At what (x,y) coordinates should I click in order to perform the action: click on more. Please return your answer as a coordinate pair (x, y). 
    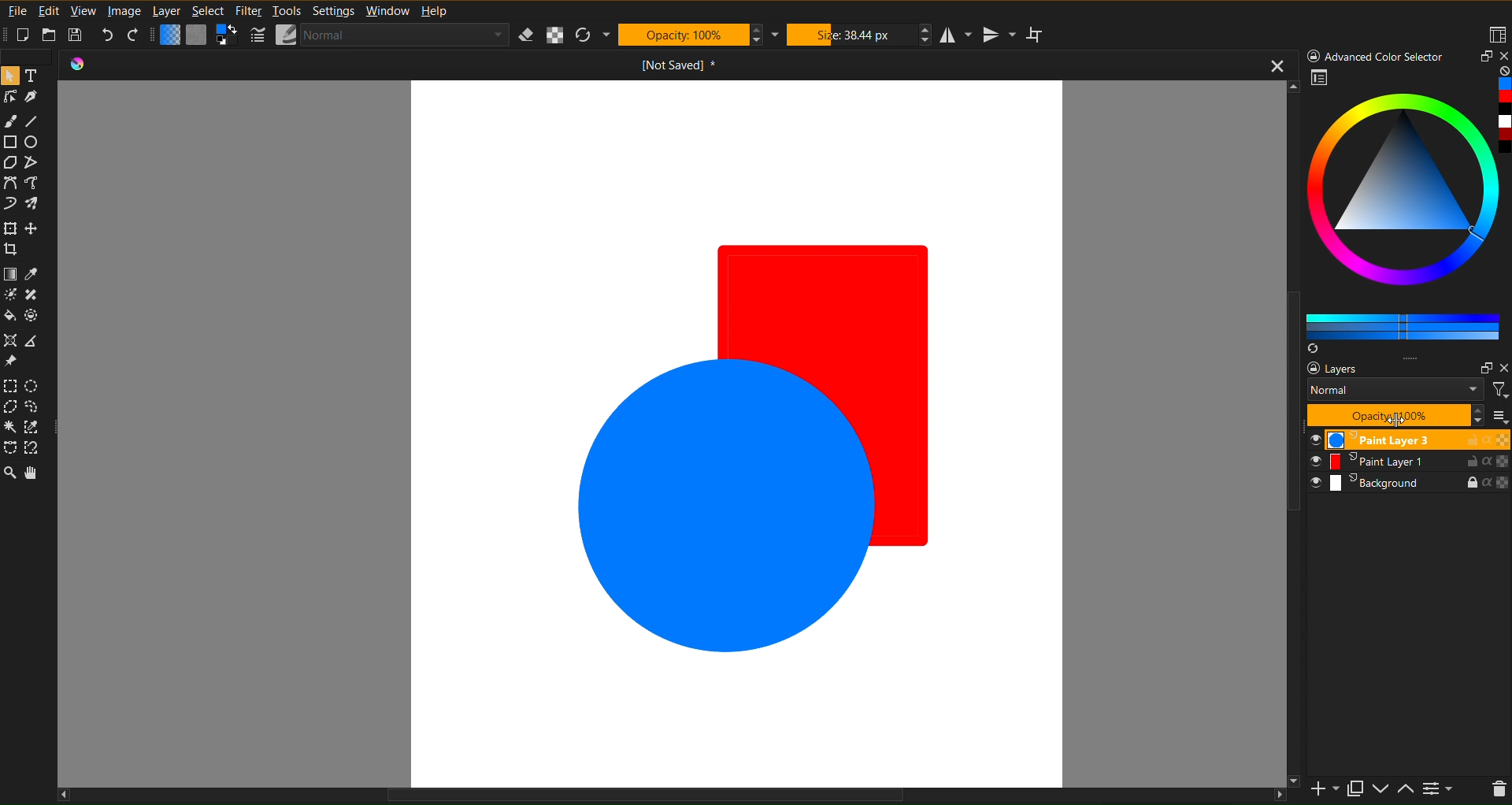
    Looking at the image, I should click on (1440, 788).